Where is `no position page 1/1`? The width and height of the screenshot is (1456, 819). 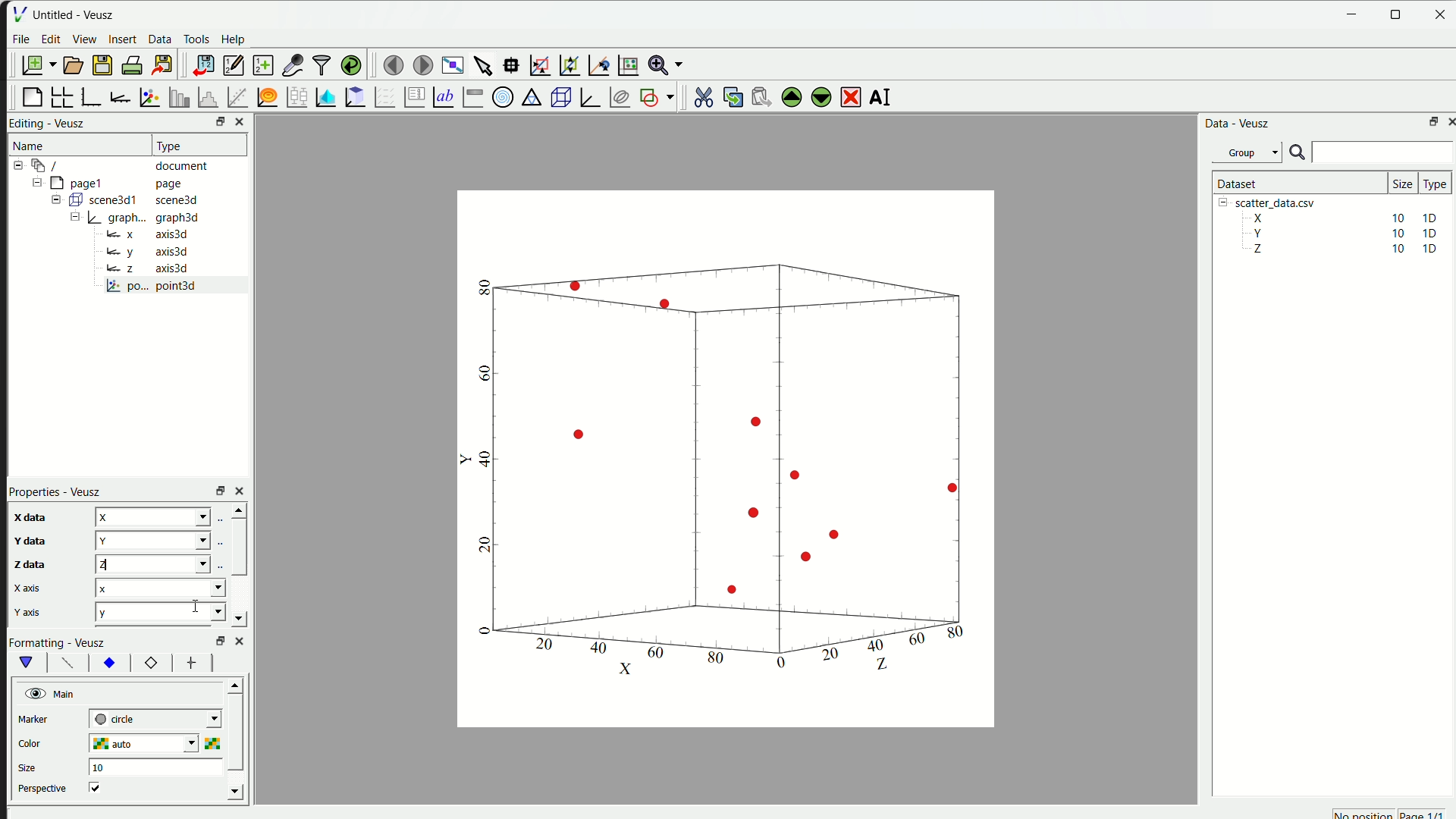
no position page 1/1 is located at coordinates (1393, 812).